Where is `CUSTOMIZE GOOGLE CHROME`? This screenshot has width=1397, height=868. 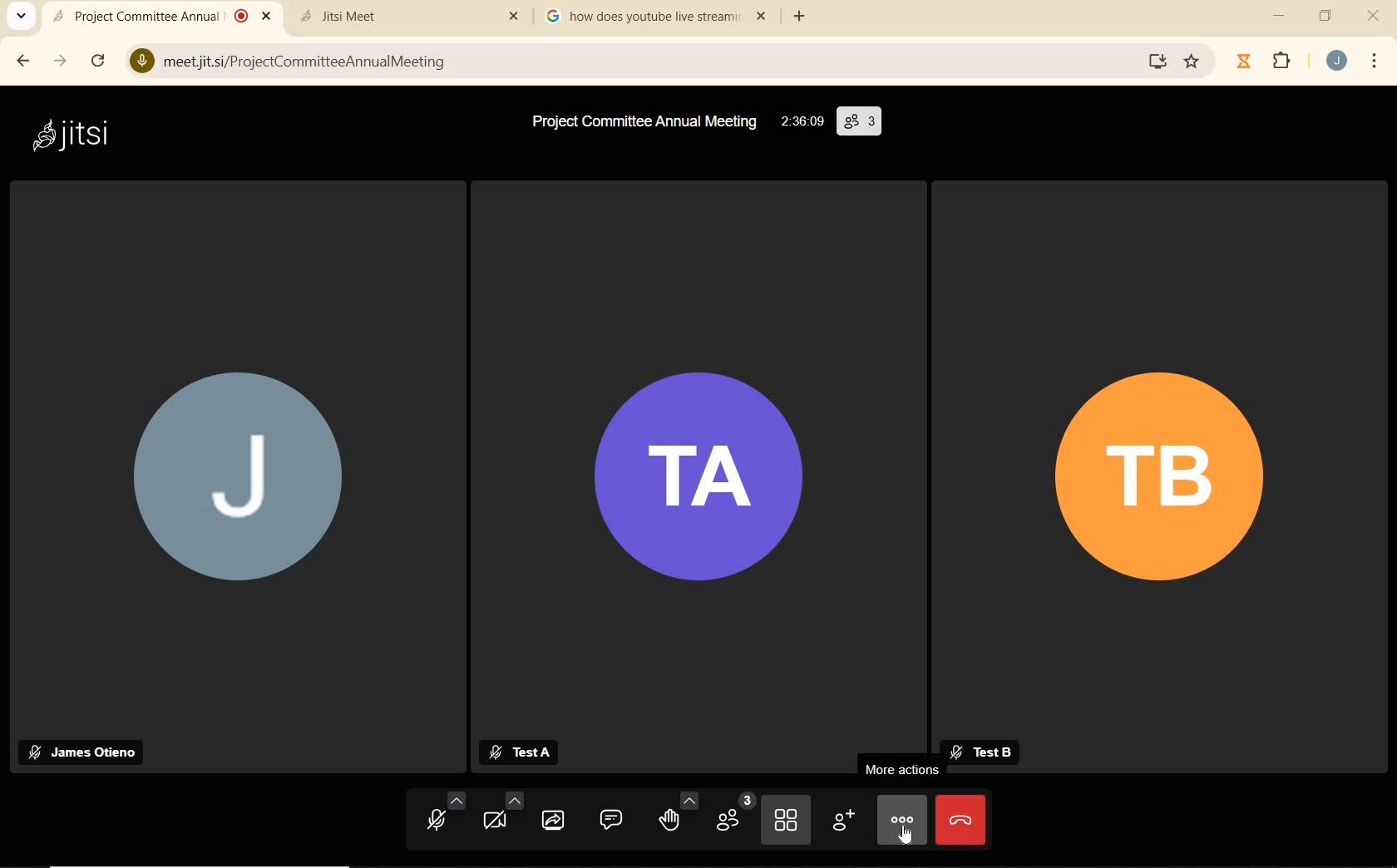
CUSTOMIZE GOOGLE CHROME is located at coordinates (1373, 61).